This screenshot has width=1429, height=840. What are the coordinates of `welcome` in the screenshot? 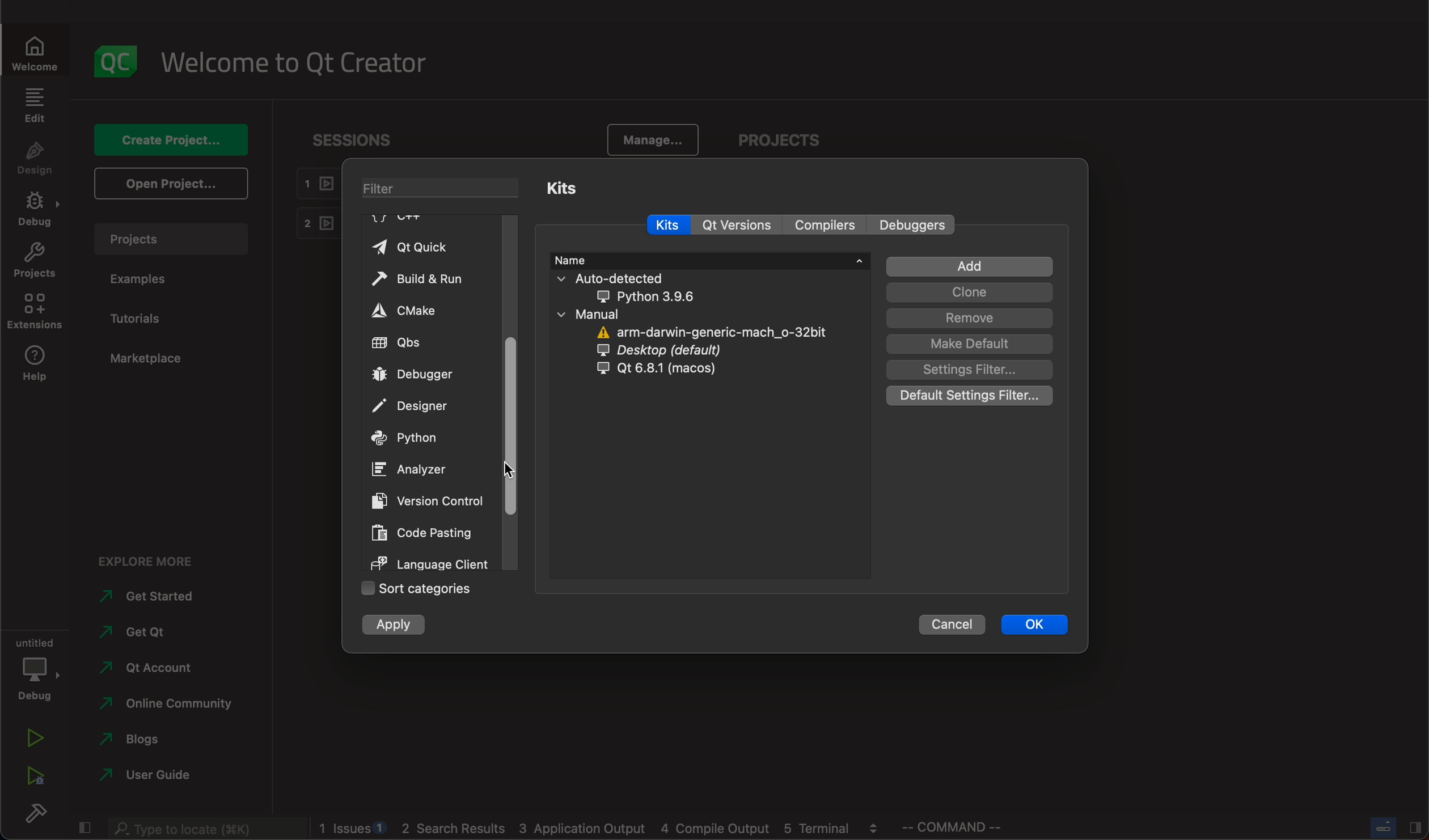 It's located at (33, 51).